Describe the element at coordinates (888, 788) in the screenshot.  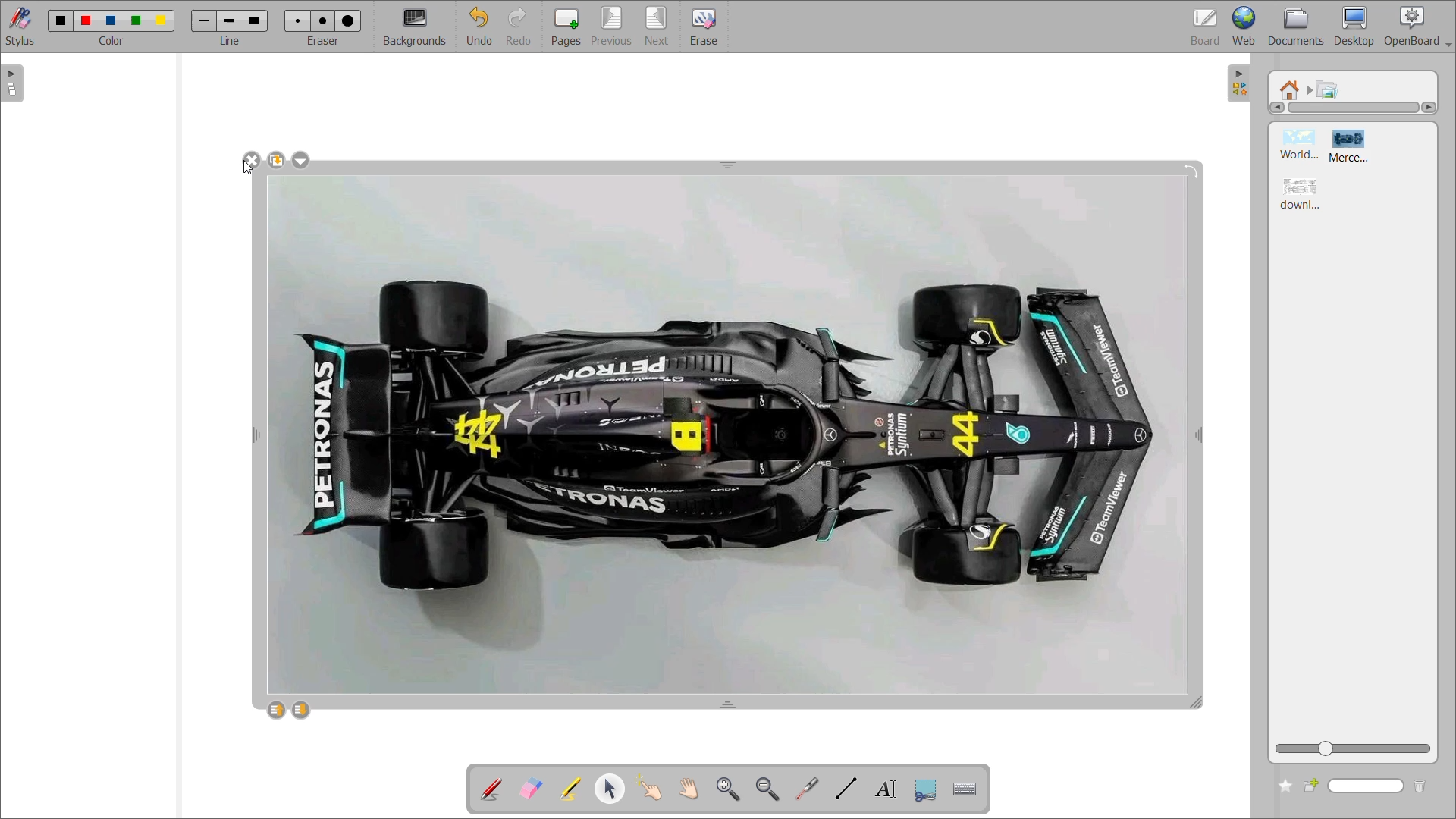
I see `write text` at that location.